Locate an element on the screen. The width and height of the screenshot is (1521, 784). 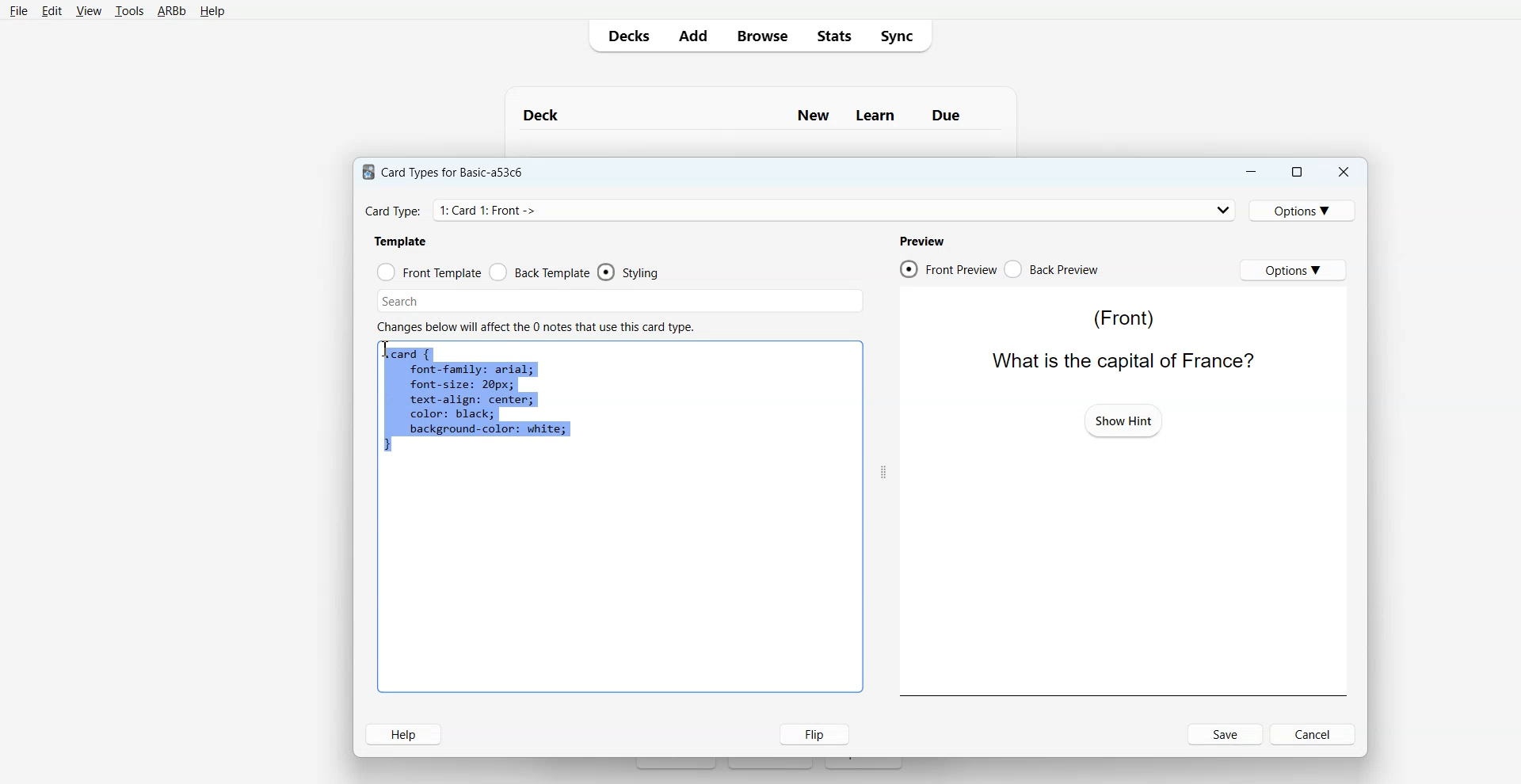
Cancel is located at coordinates (1315, 733).